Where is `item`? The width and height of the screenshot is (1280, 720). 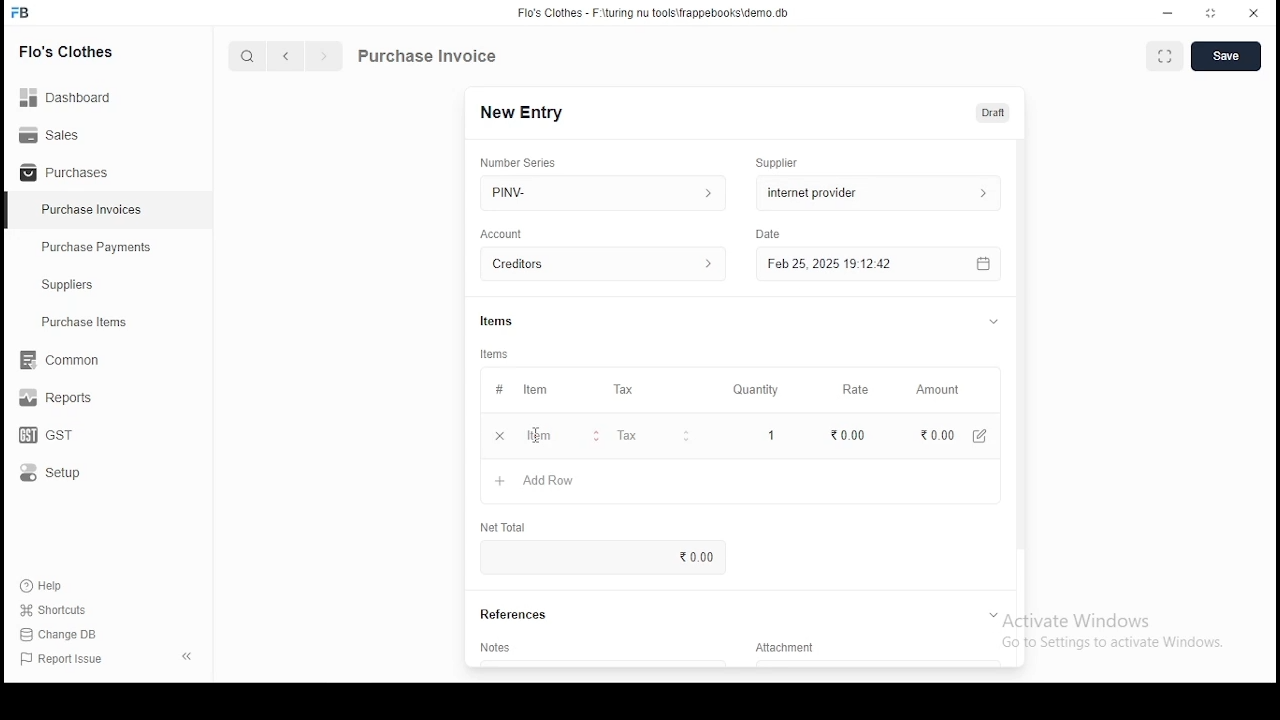
item is located at coordinates (534, 391).